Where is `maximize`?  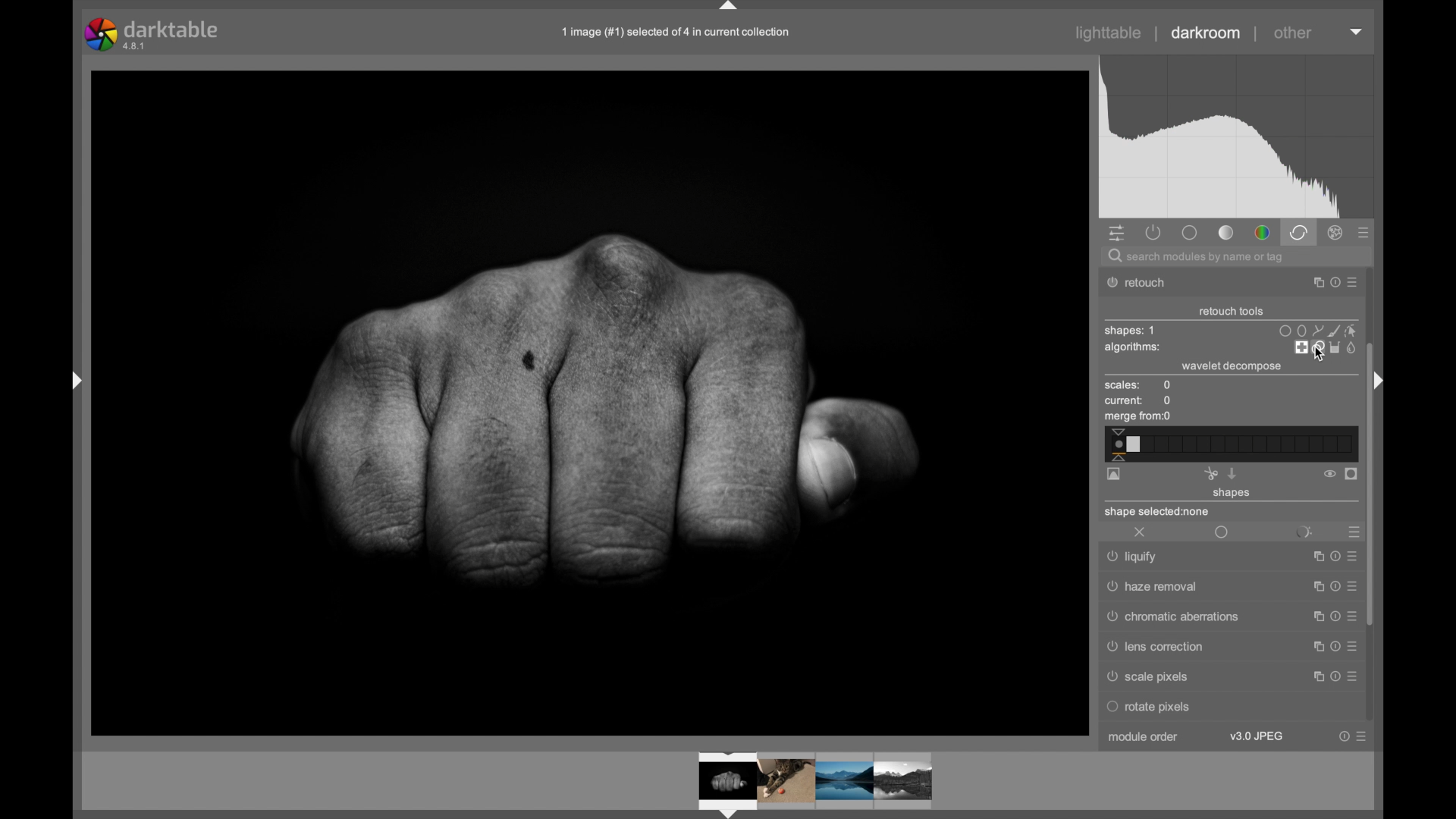 maximize is located at coordinates (1313, 588).